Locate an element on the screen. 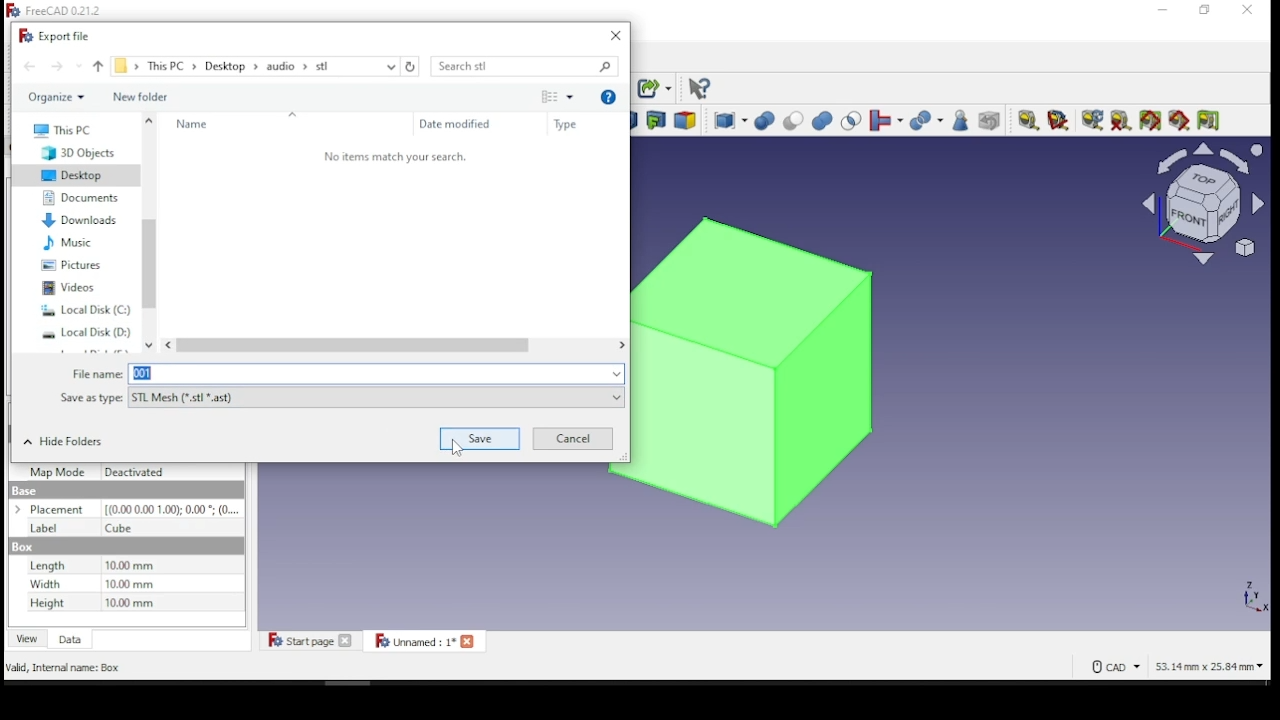 This screenshot has width=1280, height=720. pictures is located at coordinates (78, 266).